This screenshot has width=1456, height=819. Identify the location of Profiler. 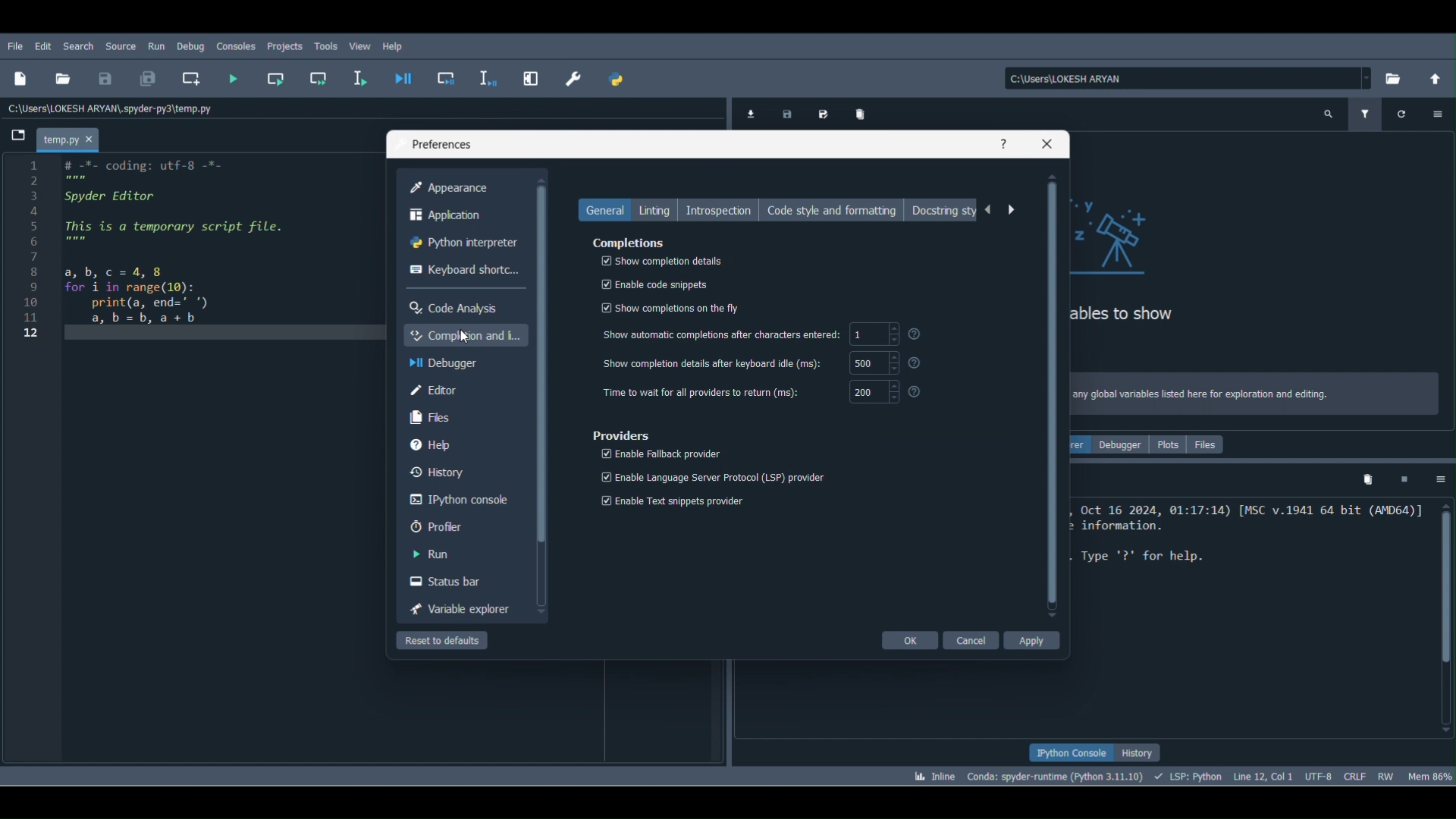
(438, 529).